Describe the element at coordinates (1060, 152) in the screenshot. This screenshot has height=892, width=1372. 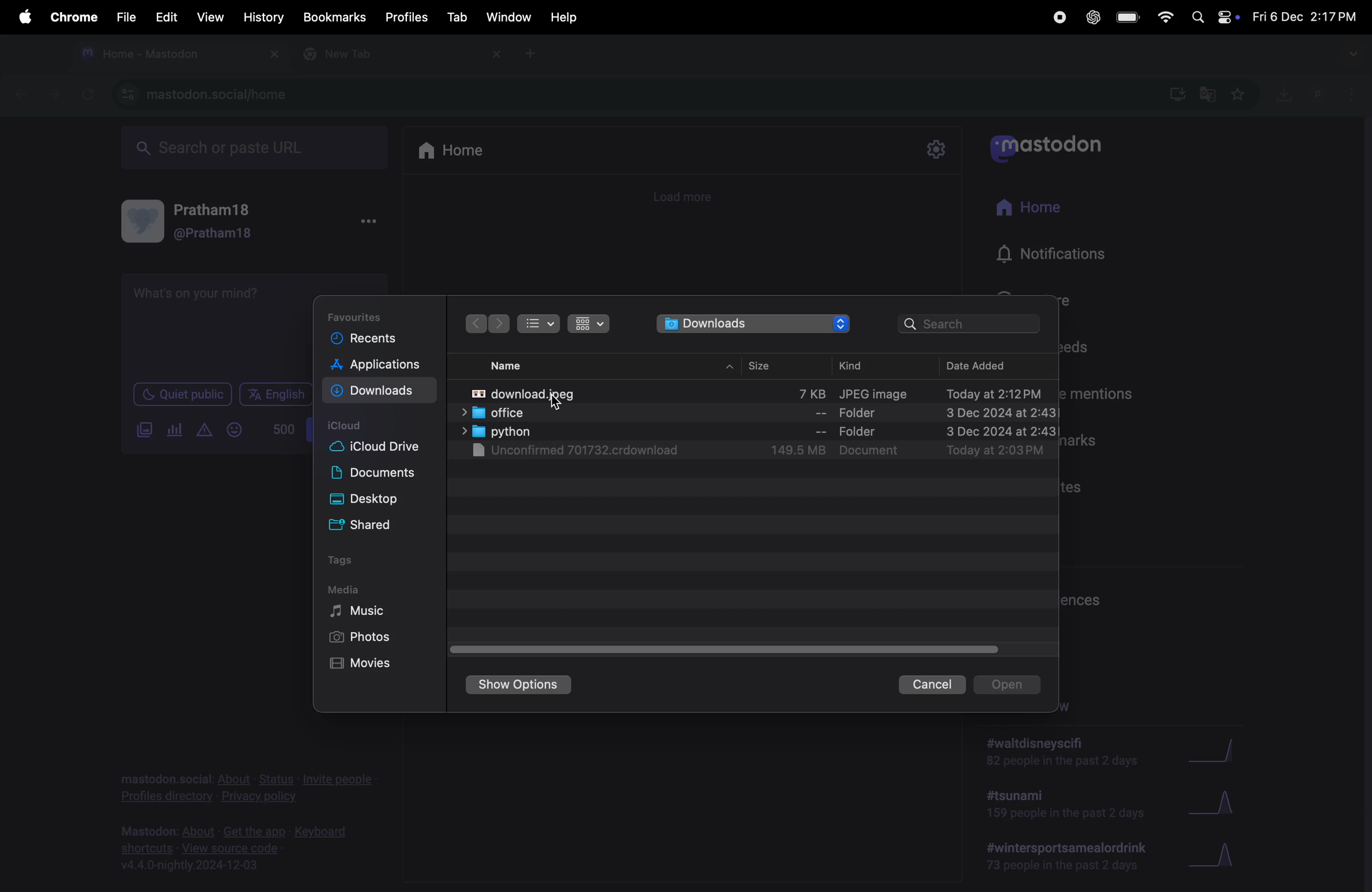
I see `mastodon app` at that location.